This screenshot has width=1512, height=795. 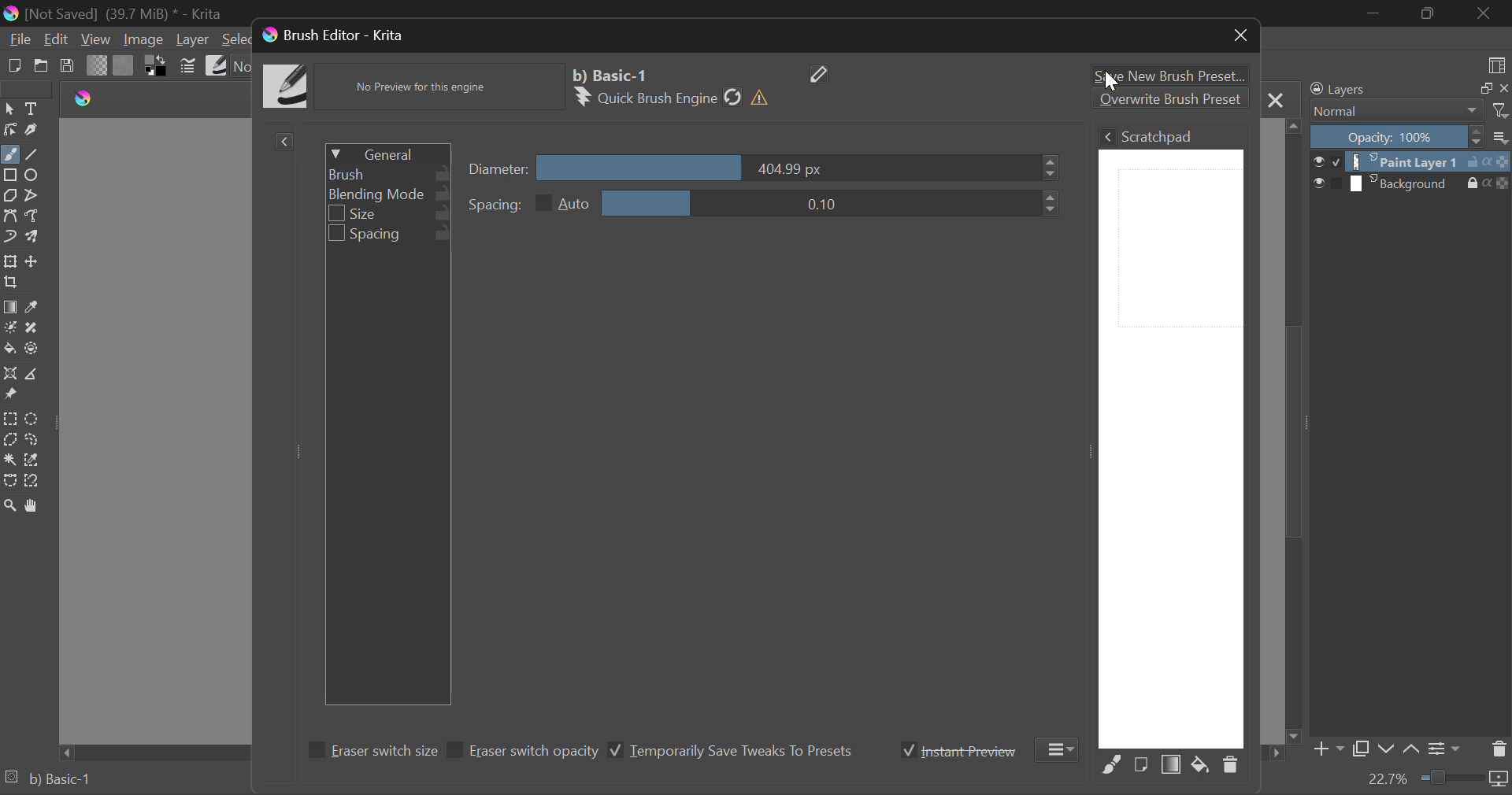 I want to click on Spacing, so click(x=764, y=203).